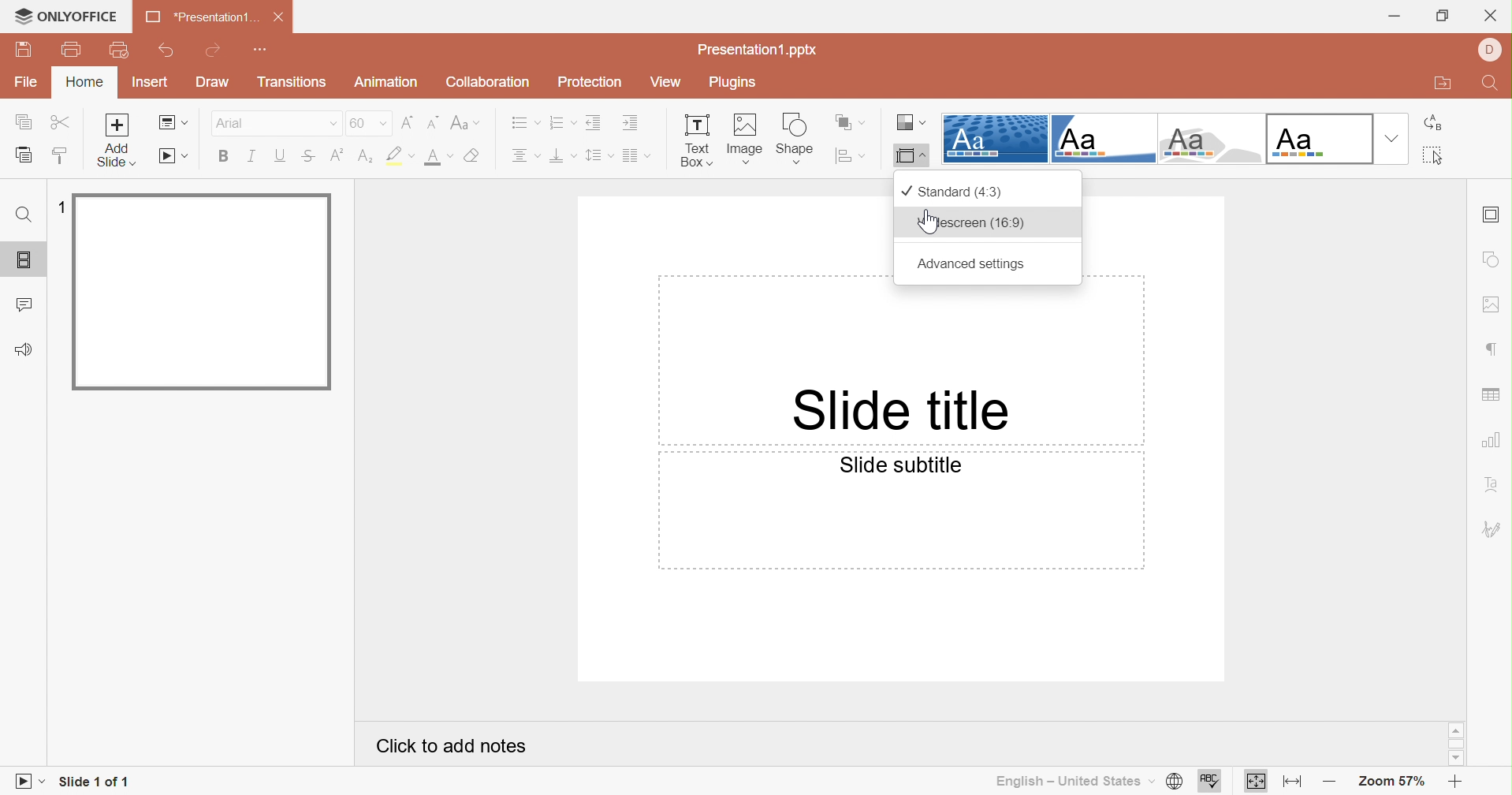 This screenshot has width=1512, height=795. I want to click on Slides, so click(26, 262).